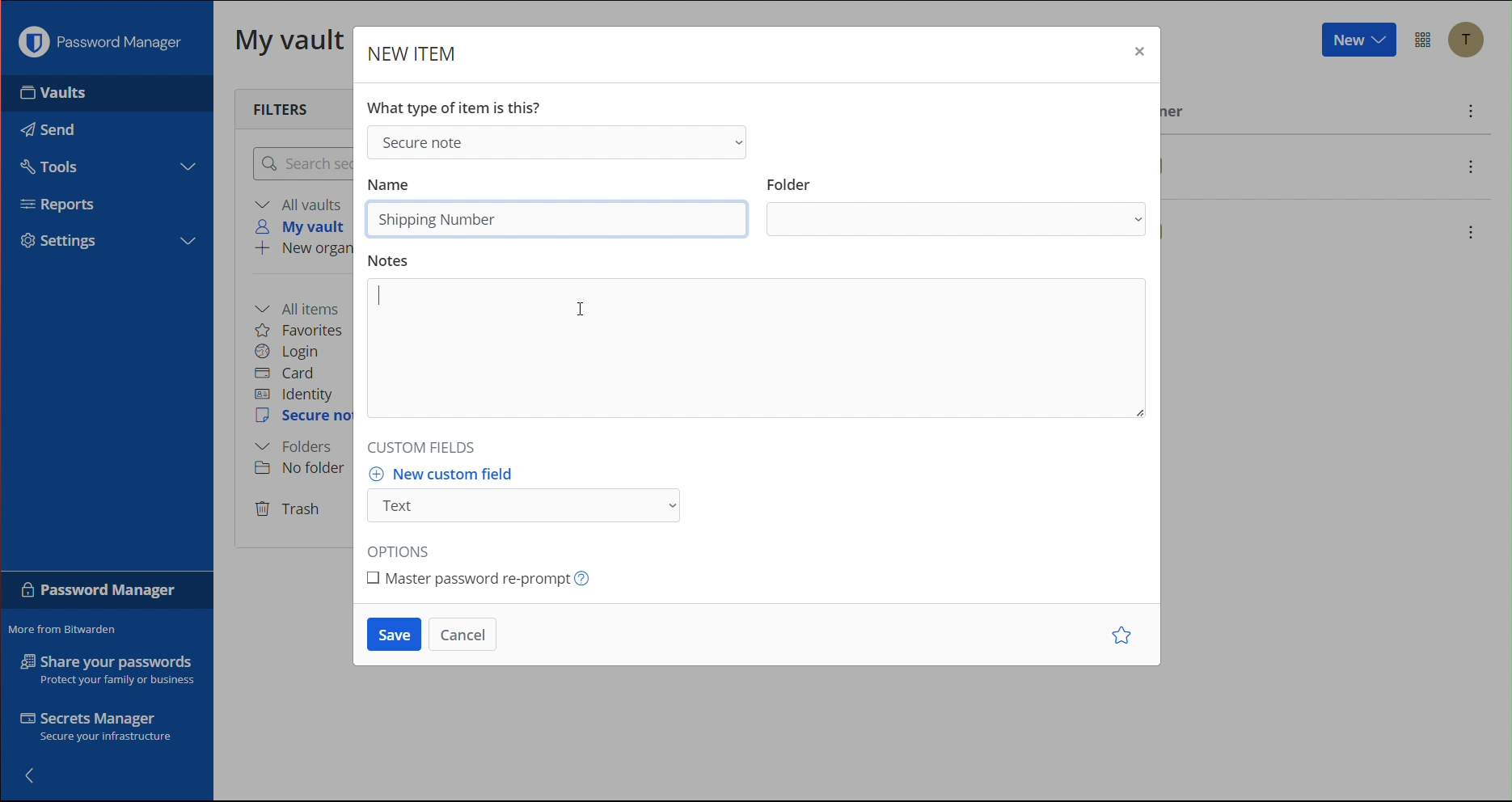 The width and height of the screenshot is (1512, 802). Describe the element at coordinates (305, 470) in the screenshot. I see `No folder` at that location.